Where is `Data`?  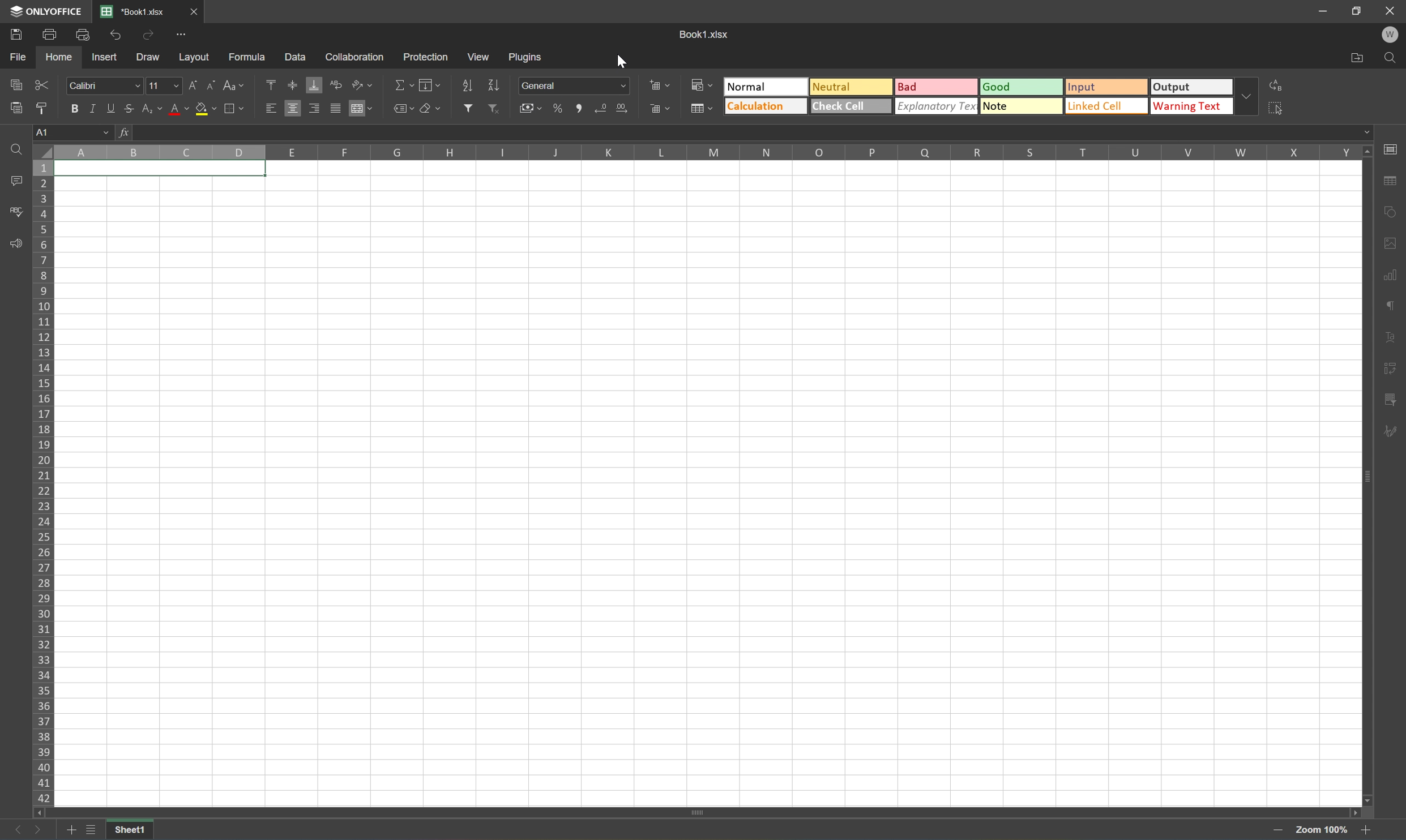 Data is located at coordinates (293, 54).